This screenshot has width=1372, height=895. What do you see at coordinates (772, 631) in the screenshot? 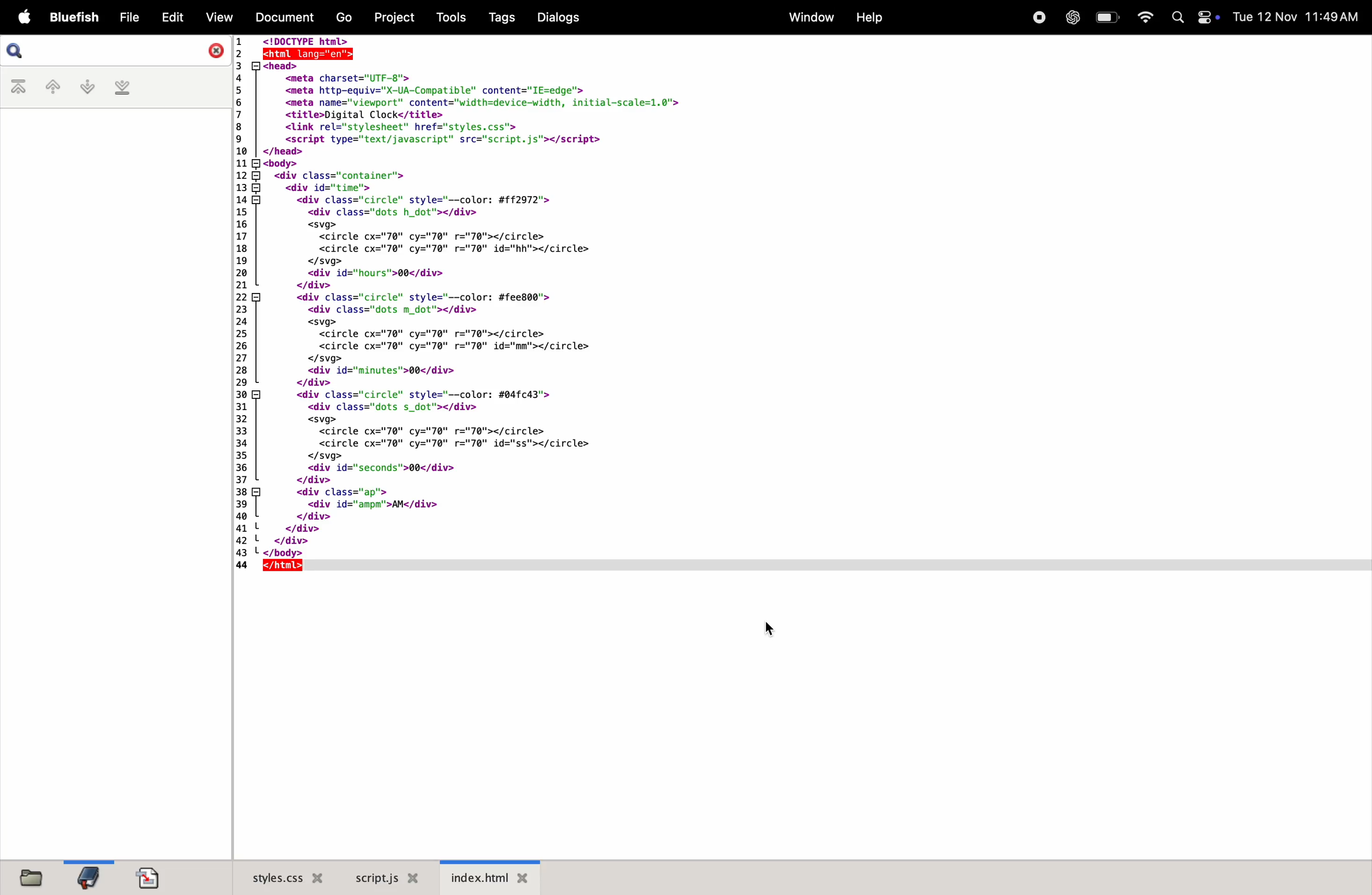
I see `cursor` at bounding box center [772, 631].